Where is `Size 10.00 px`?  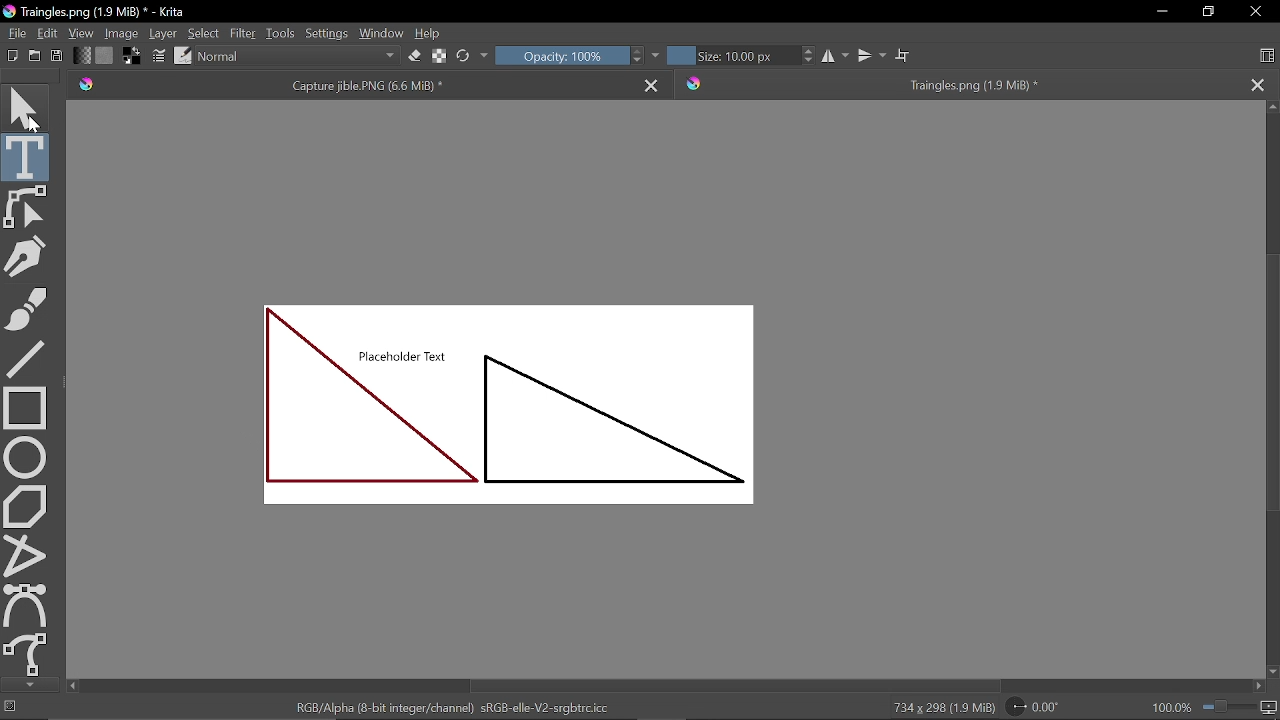
Size 10.00 px is located at coordinates (731, 56).